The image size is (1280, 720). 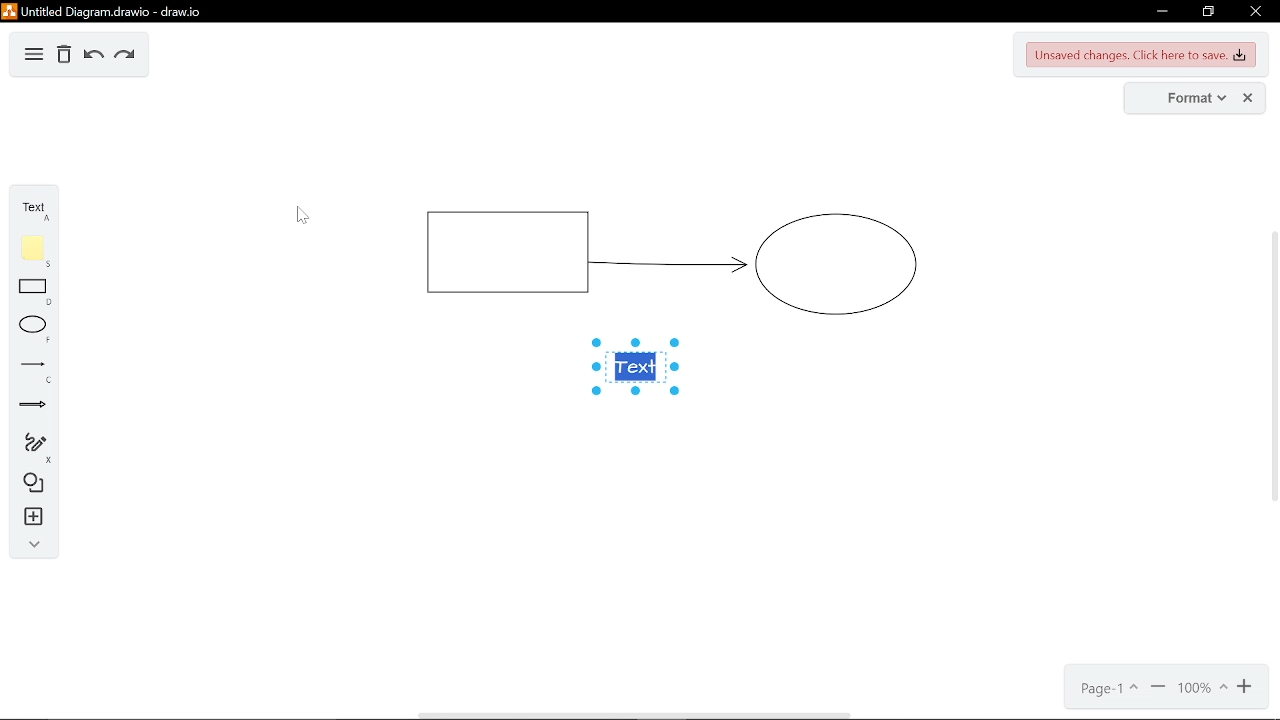 What do you see at coordinates (127, 58) in the screenshot?
I see `redo` at bounding box center [127, 58].